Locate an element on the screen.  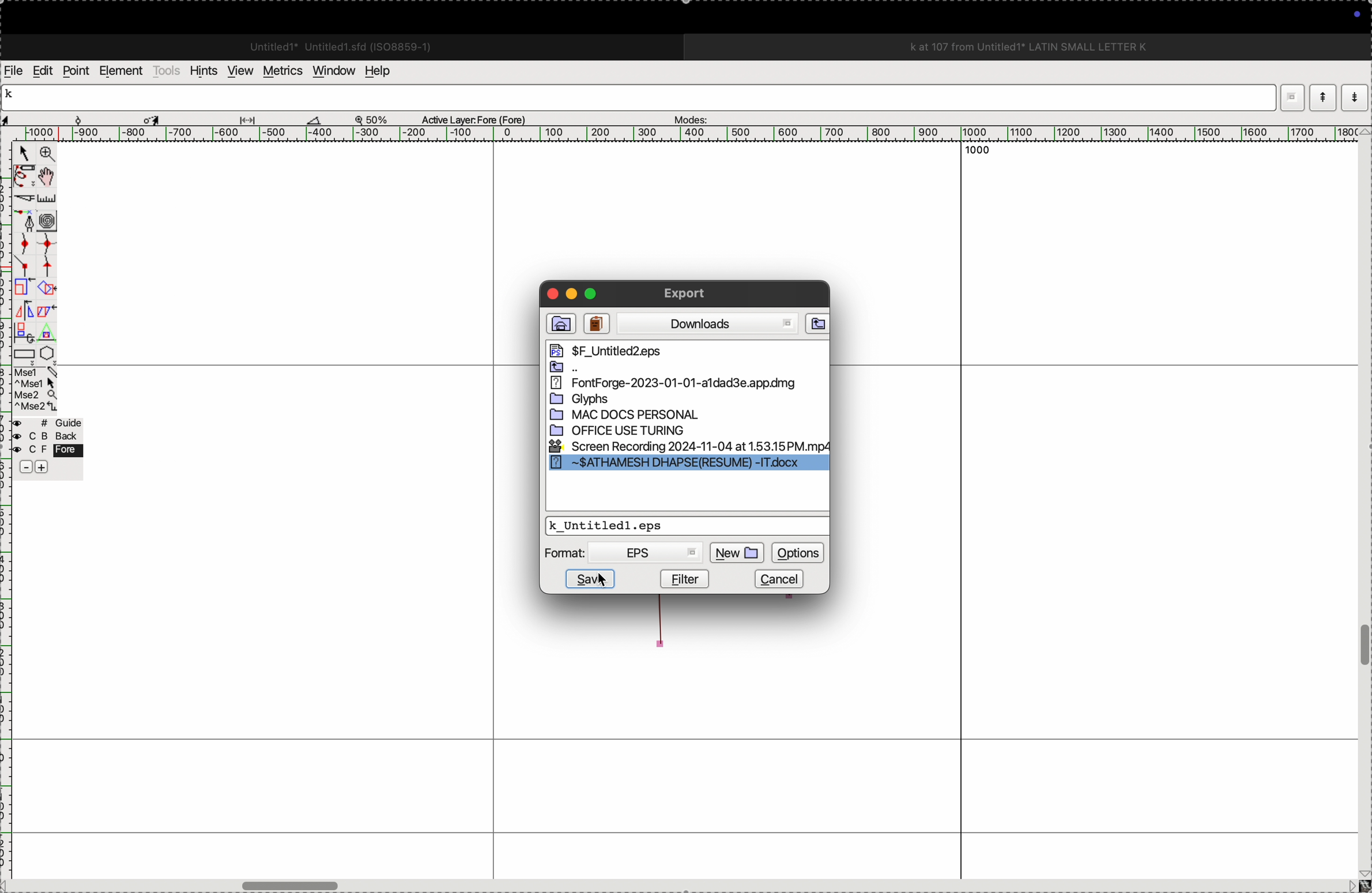
modes is located at coordinates (687, 116).